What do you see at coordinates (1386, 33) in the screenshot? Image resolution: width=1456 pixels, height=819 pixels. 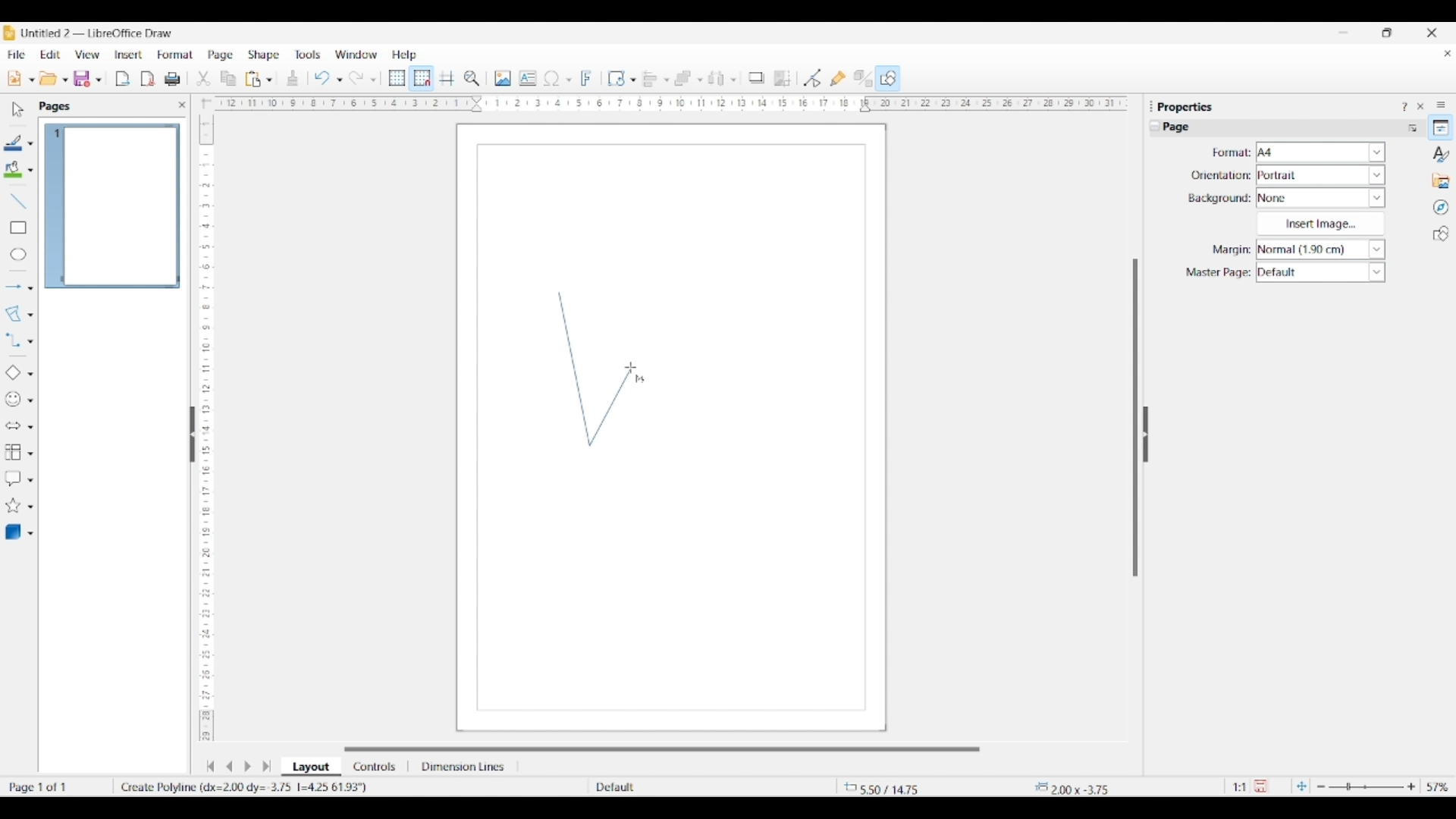 I see `Show interface in smaller tab` at bounding box center [1386, 33].